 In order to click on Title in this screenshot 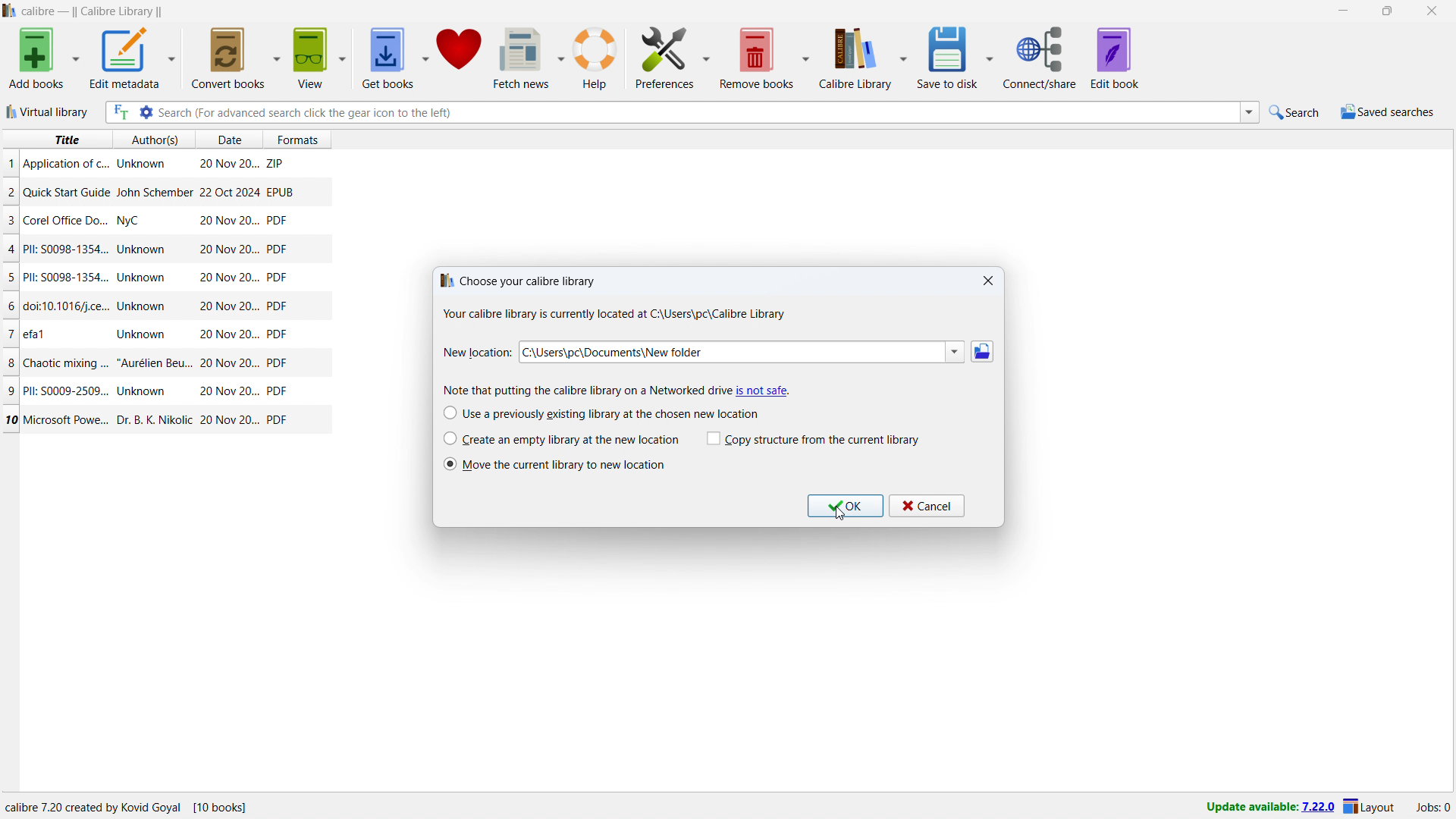, I will do `click(67, 192)`.